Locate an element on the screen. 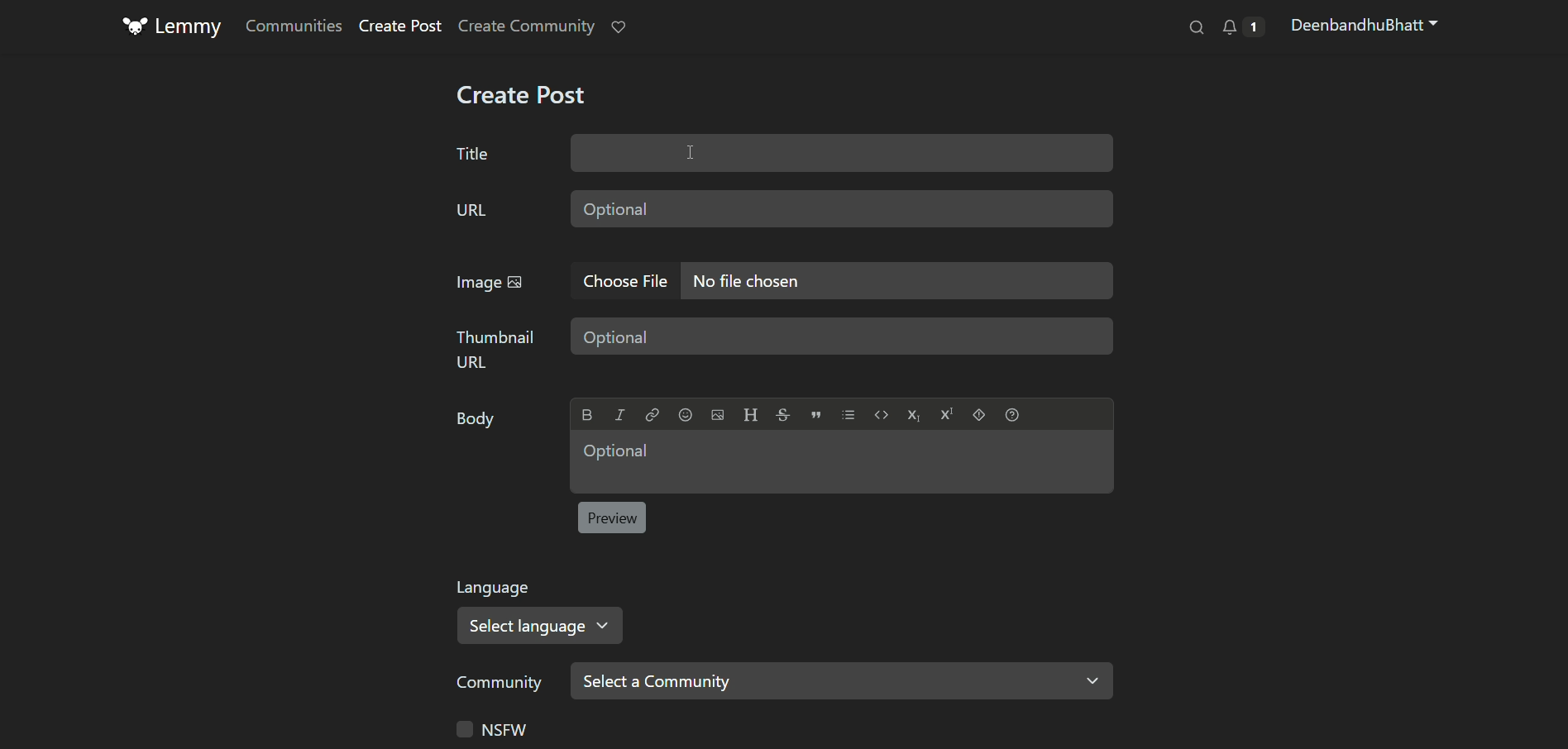  create post is located at coordinates (520, 98).